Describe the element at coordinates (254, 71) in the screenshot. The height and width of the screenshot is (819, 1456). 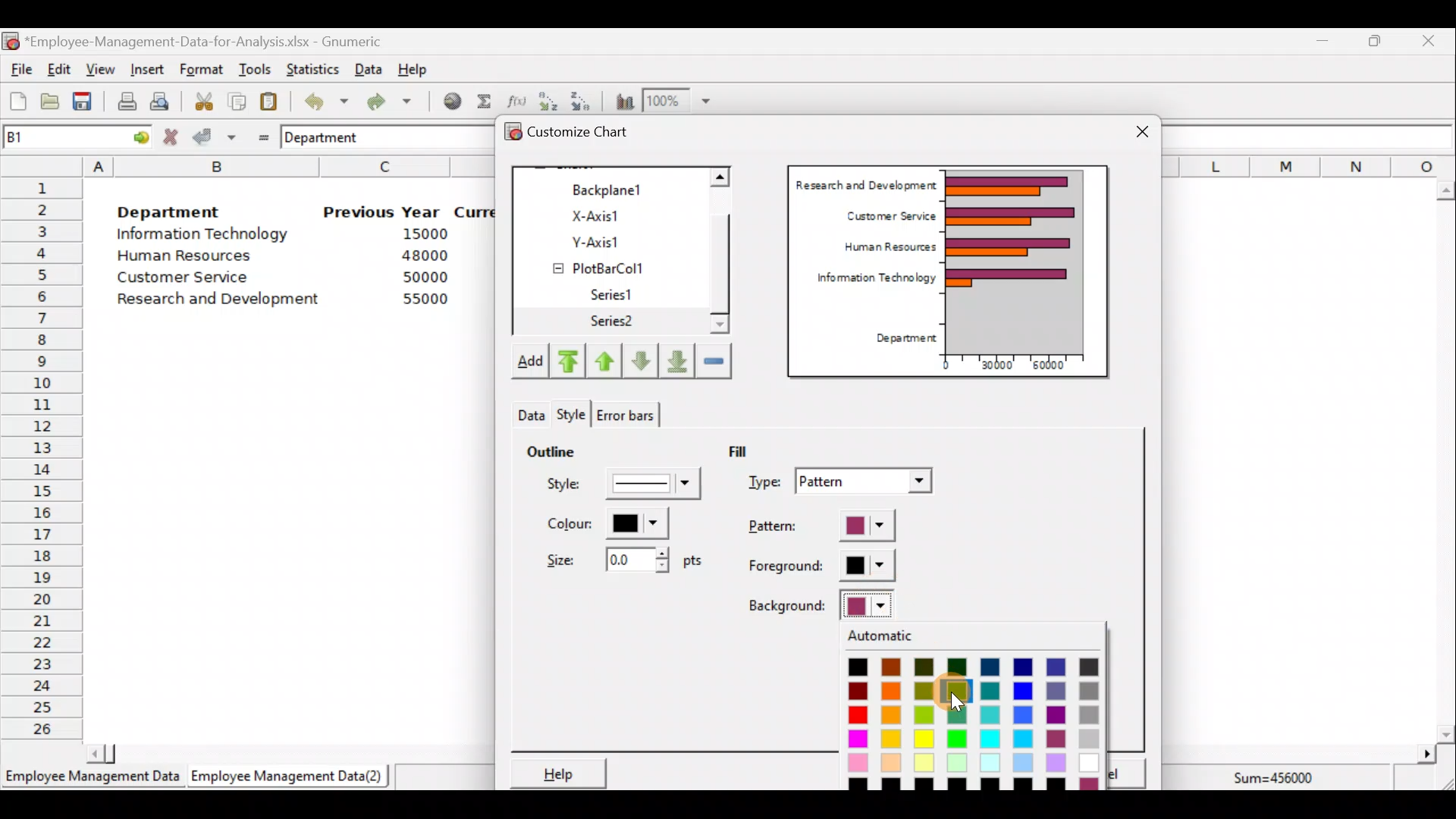
I see `Tools` at that location.